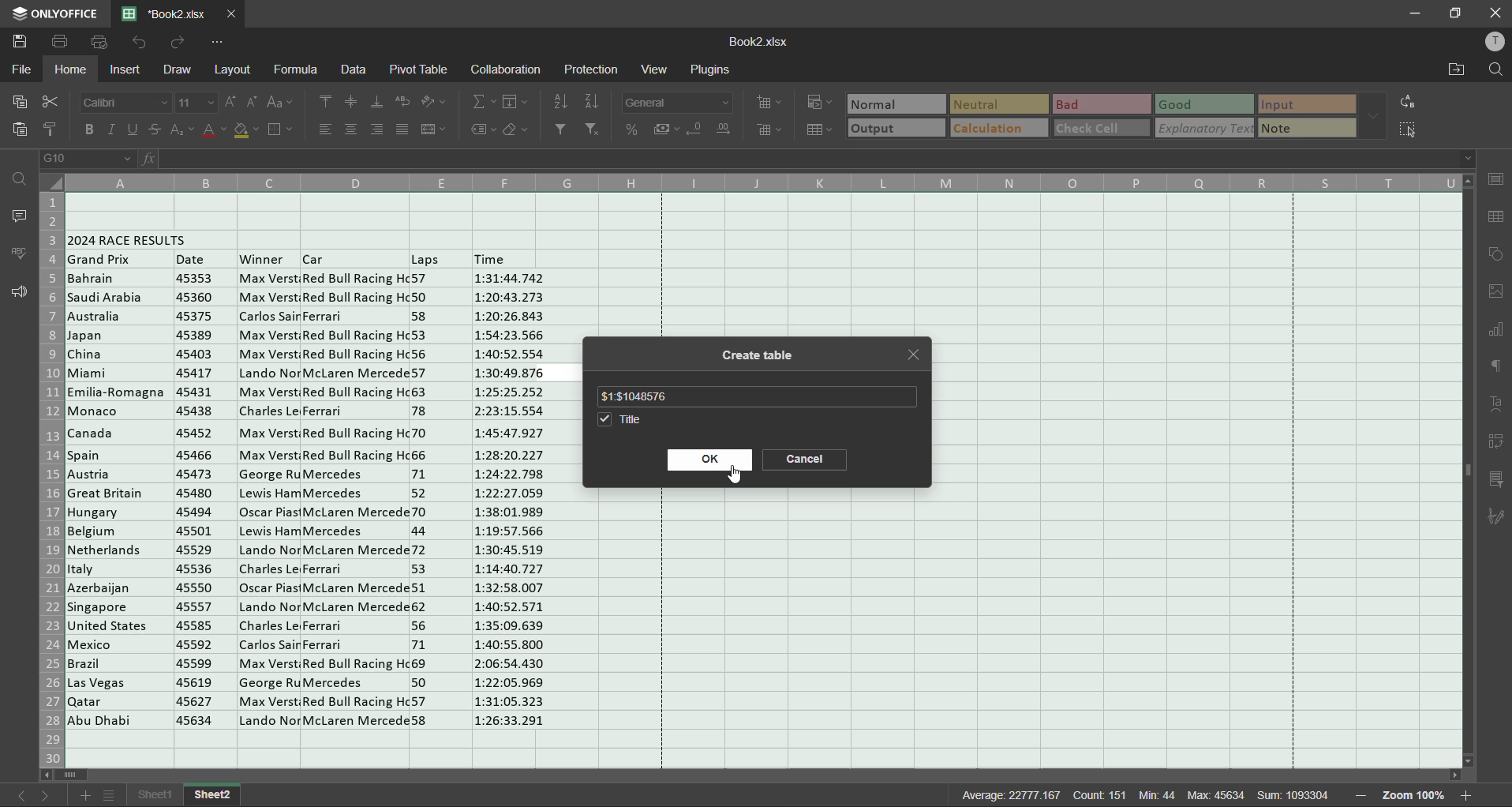 The height and width of the screenshot is (807, 1512). What do you see at coordinates (196, 259) in the screenshot?
I see `date` at bounding box center [196, 259].